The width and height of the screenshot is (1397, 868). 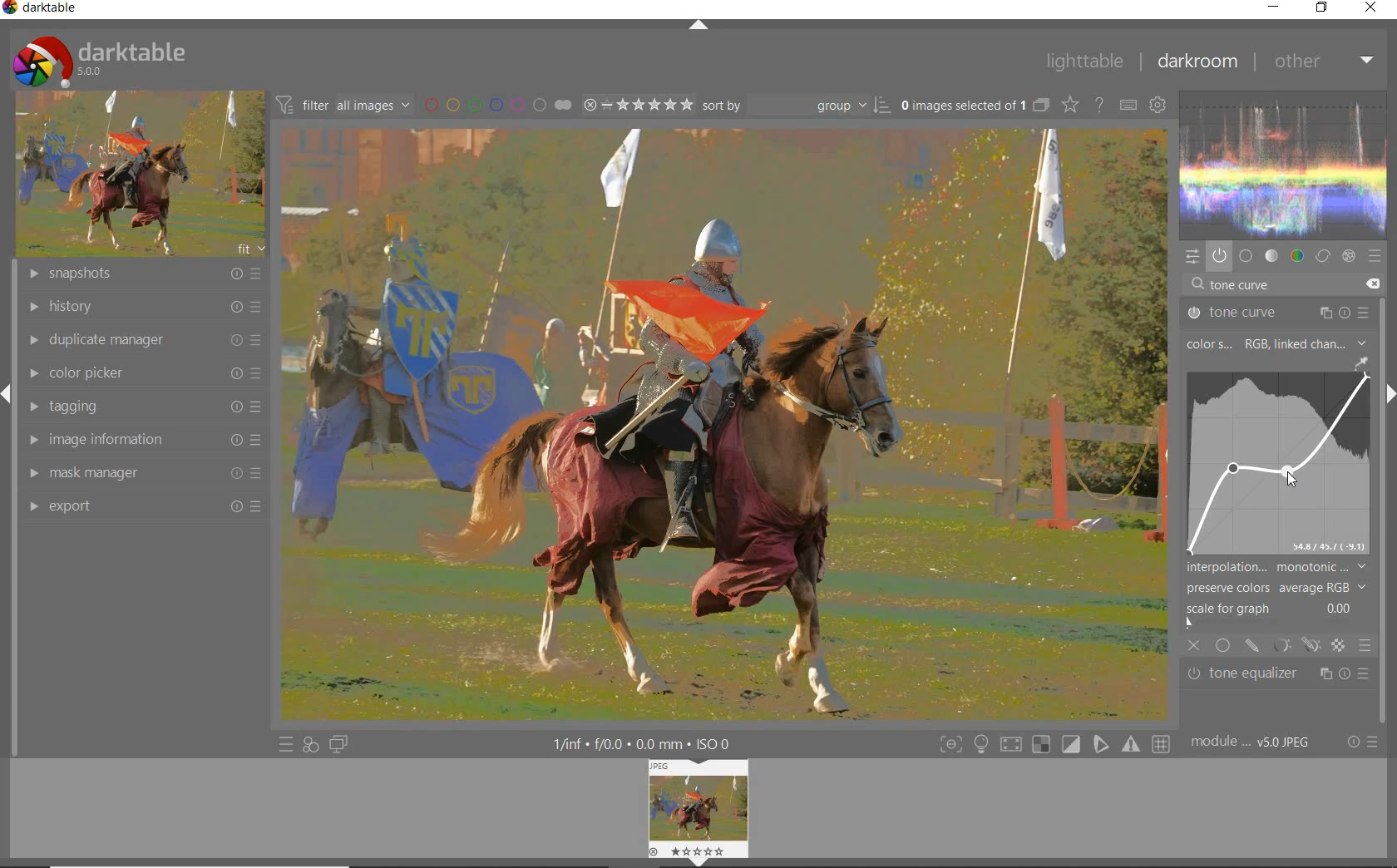 What do you see at coordinates (1323, 61) in the screenshot?
I see `other` at bounding box center [1323, 61].